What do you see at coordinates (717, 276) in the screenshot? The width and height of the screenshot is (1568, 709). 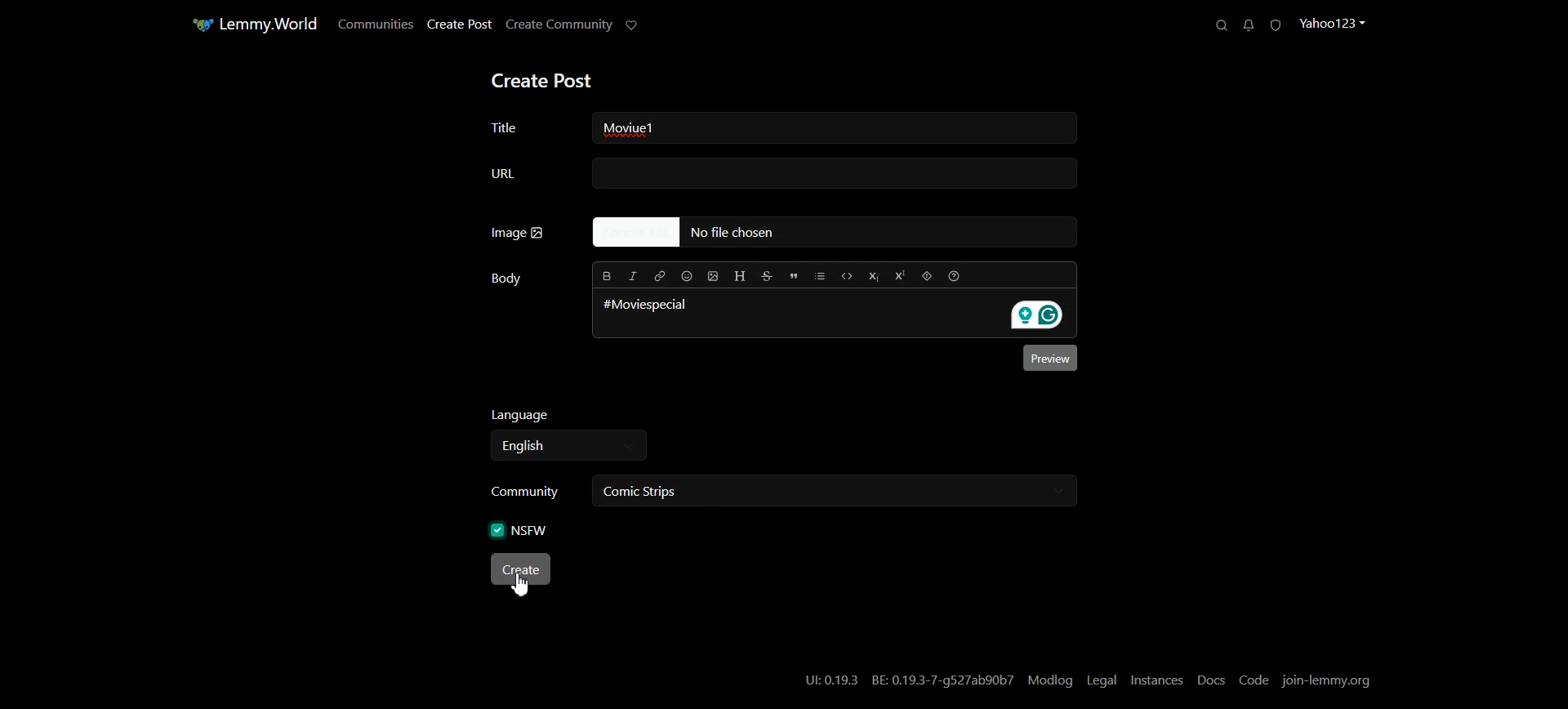 I see `Upload Image` at bounding box center [717, 276].